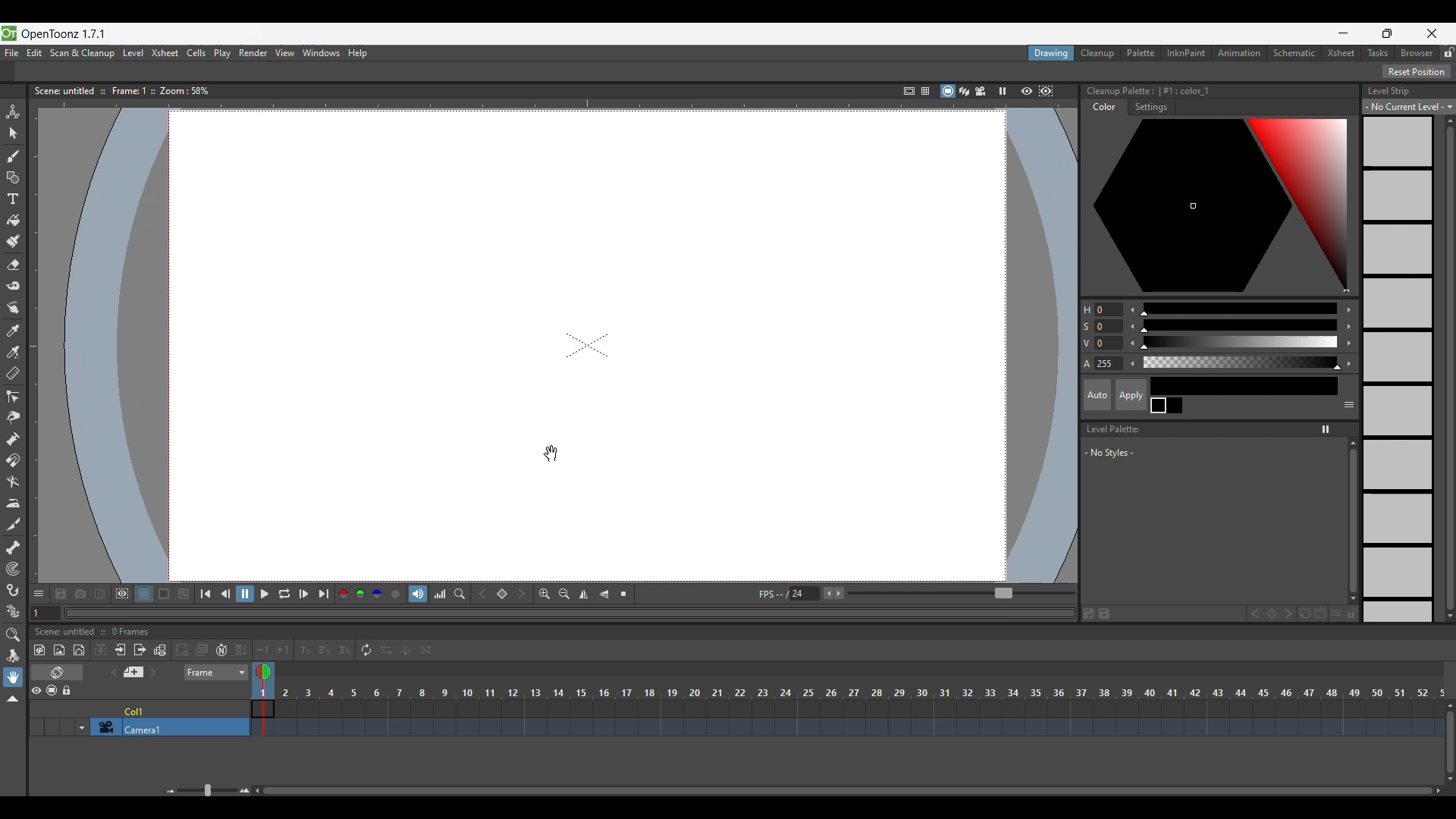  What do you see at coordinates (133, 53) in the screenshot?
I see `Level` at bounding box center [133, 53].